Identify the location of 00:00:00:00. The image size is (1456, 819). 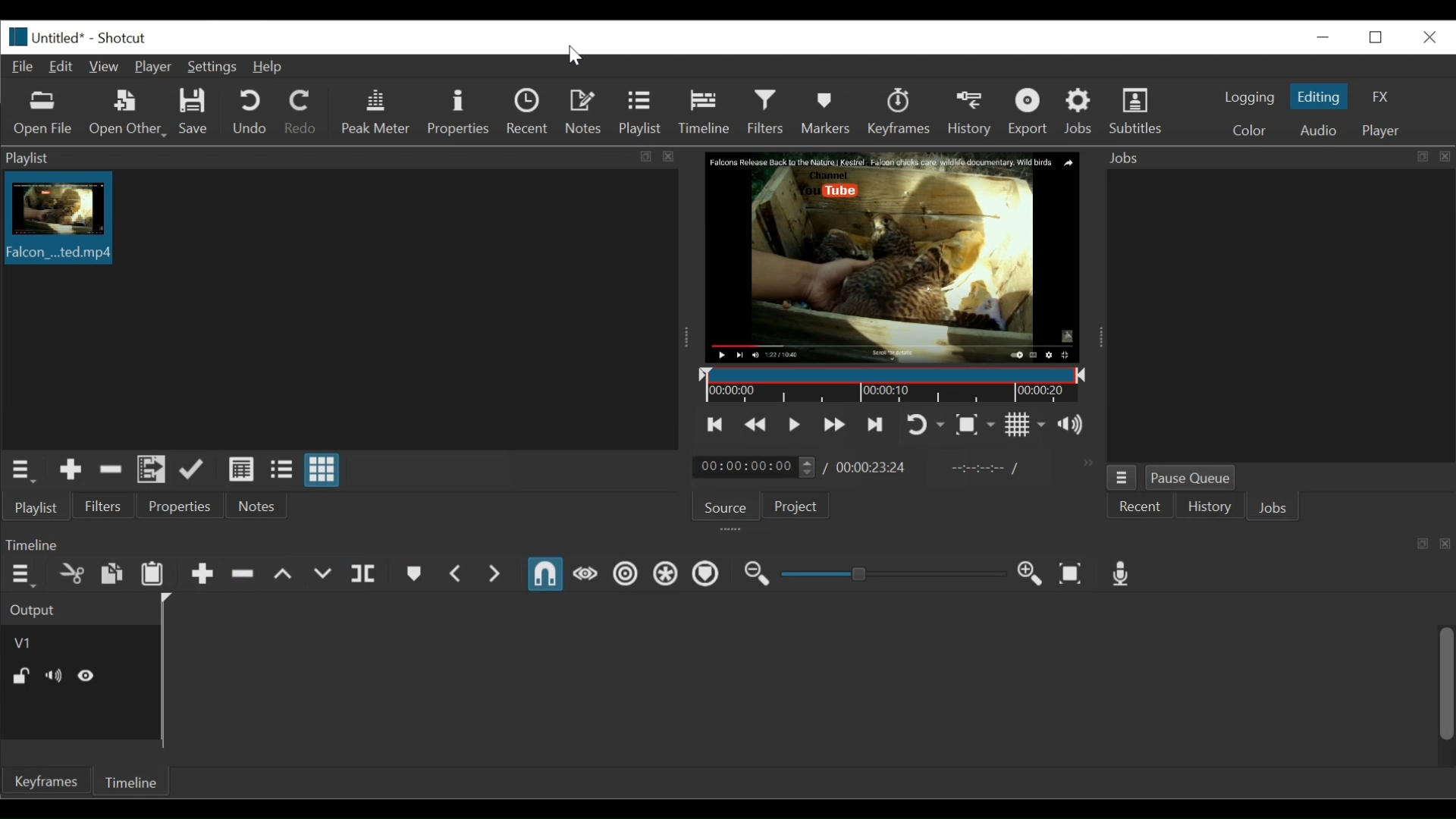
(752, 466).